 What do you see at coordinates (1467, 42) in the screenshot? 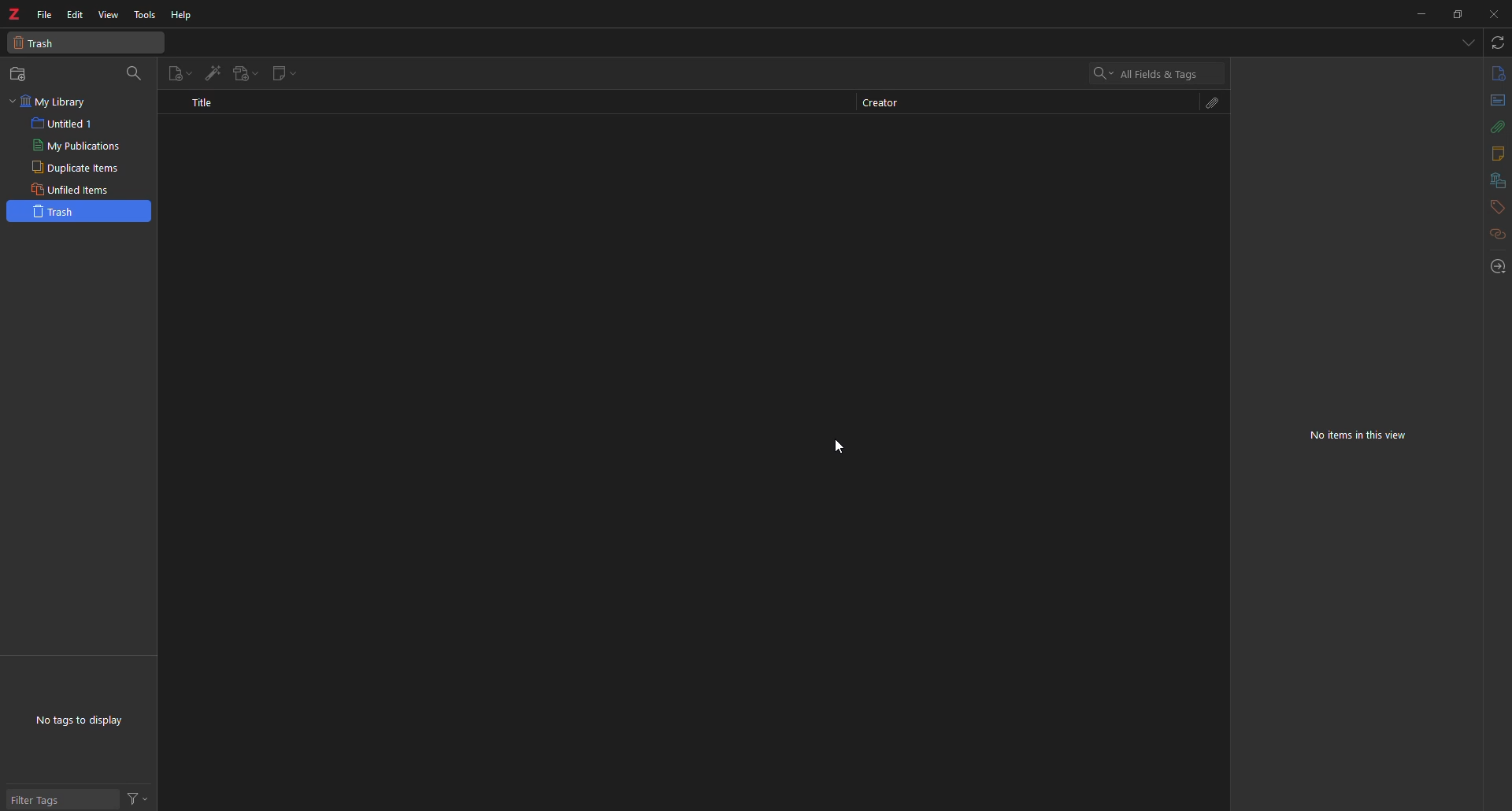
I see `tabs` at bounding box center [1467, 42].